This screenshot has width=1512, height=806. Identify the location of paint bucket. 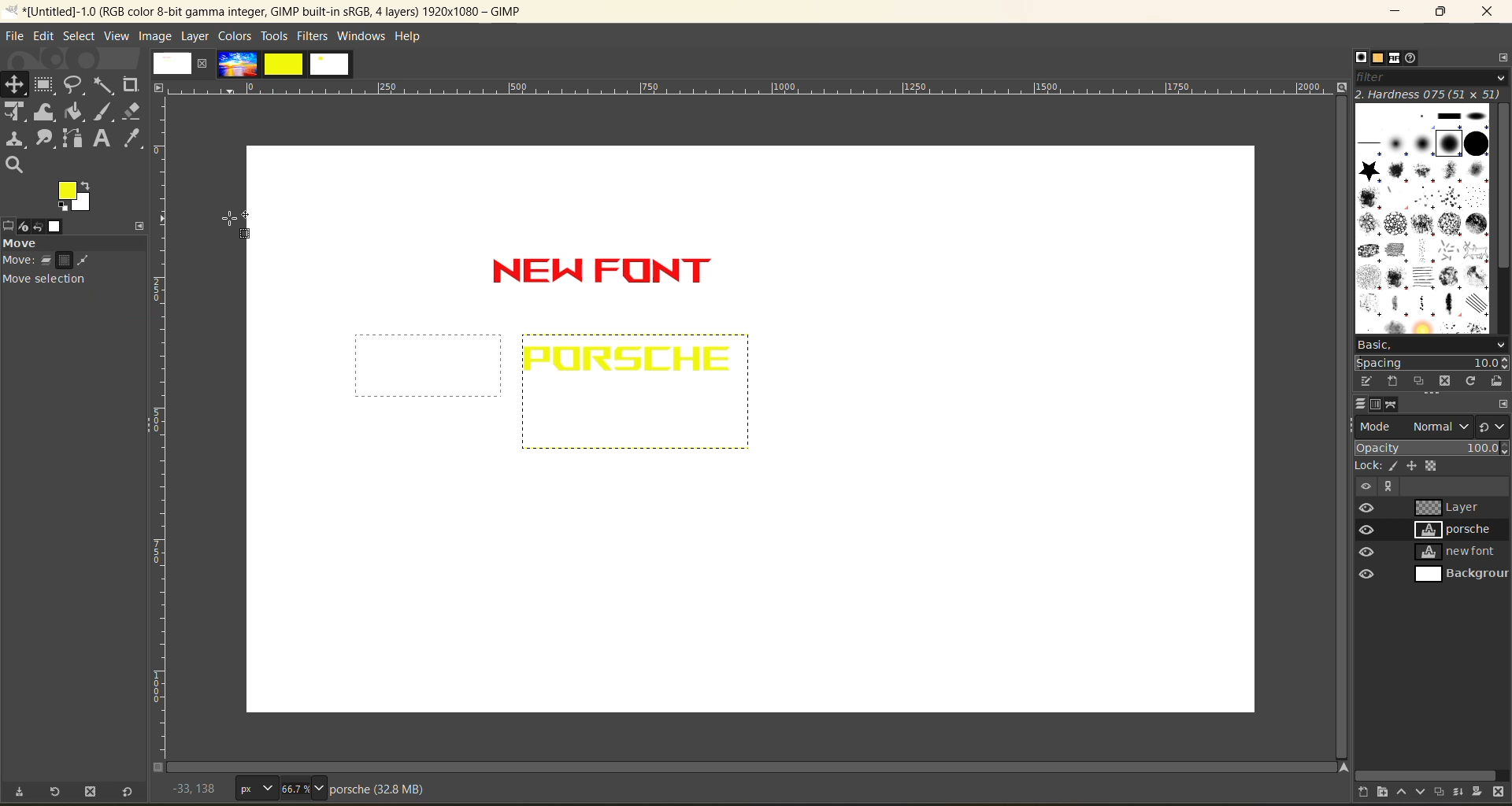
(74, 111).